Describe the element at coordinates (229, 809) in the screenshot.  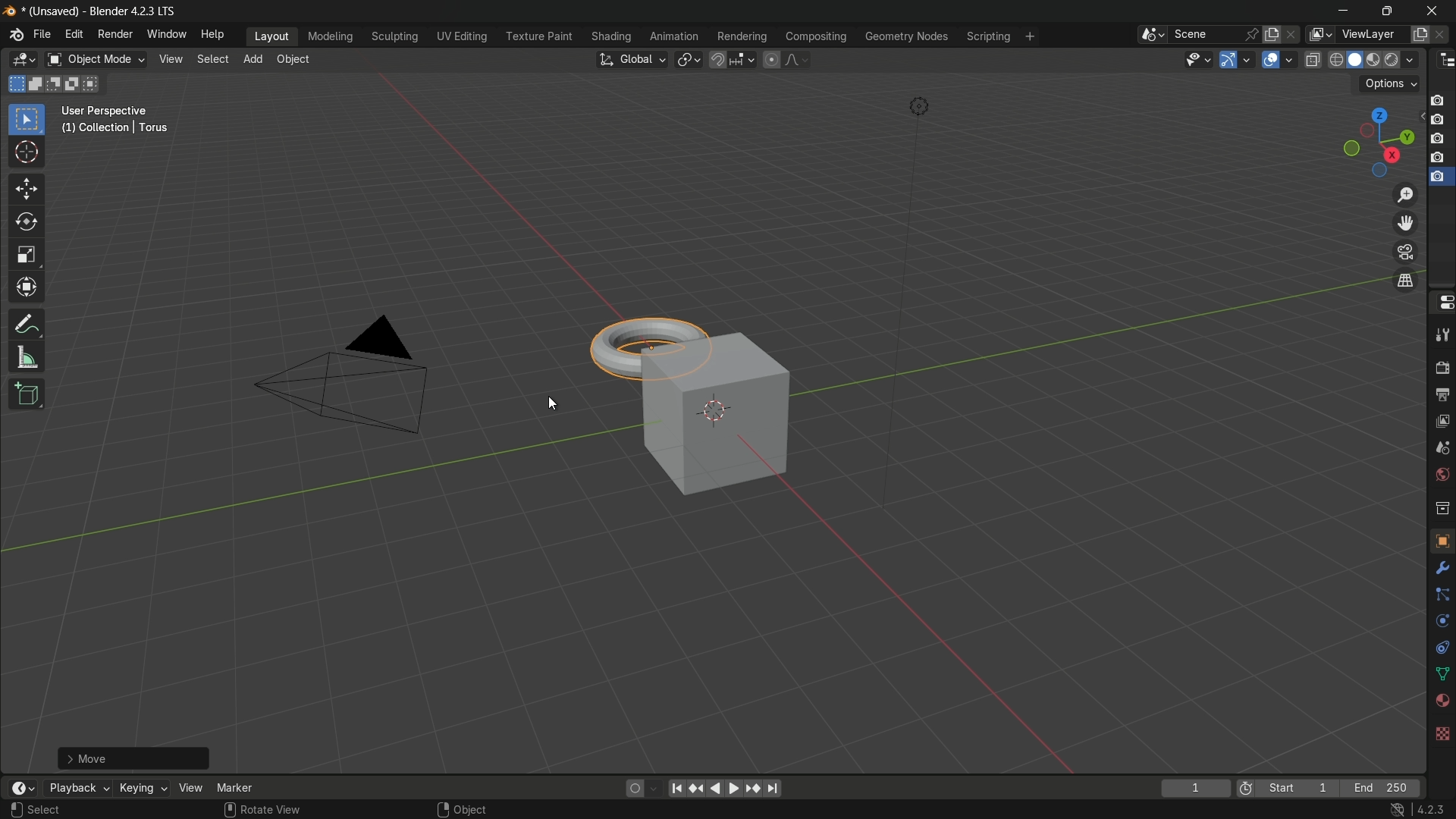
I see `mouse scroll` at that location.